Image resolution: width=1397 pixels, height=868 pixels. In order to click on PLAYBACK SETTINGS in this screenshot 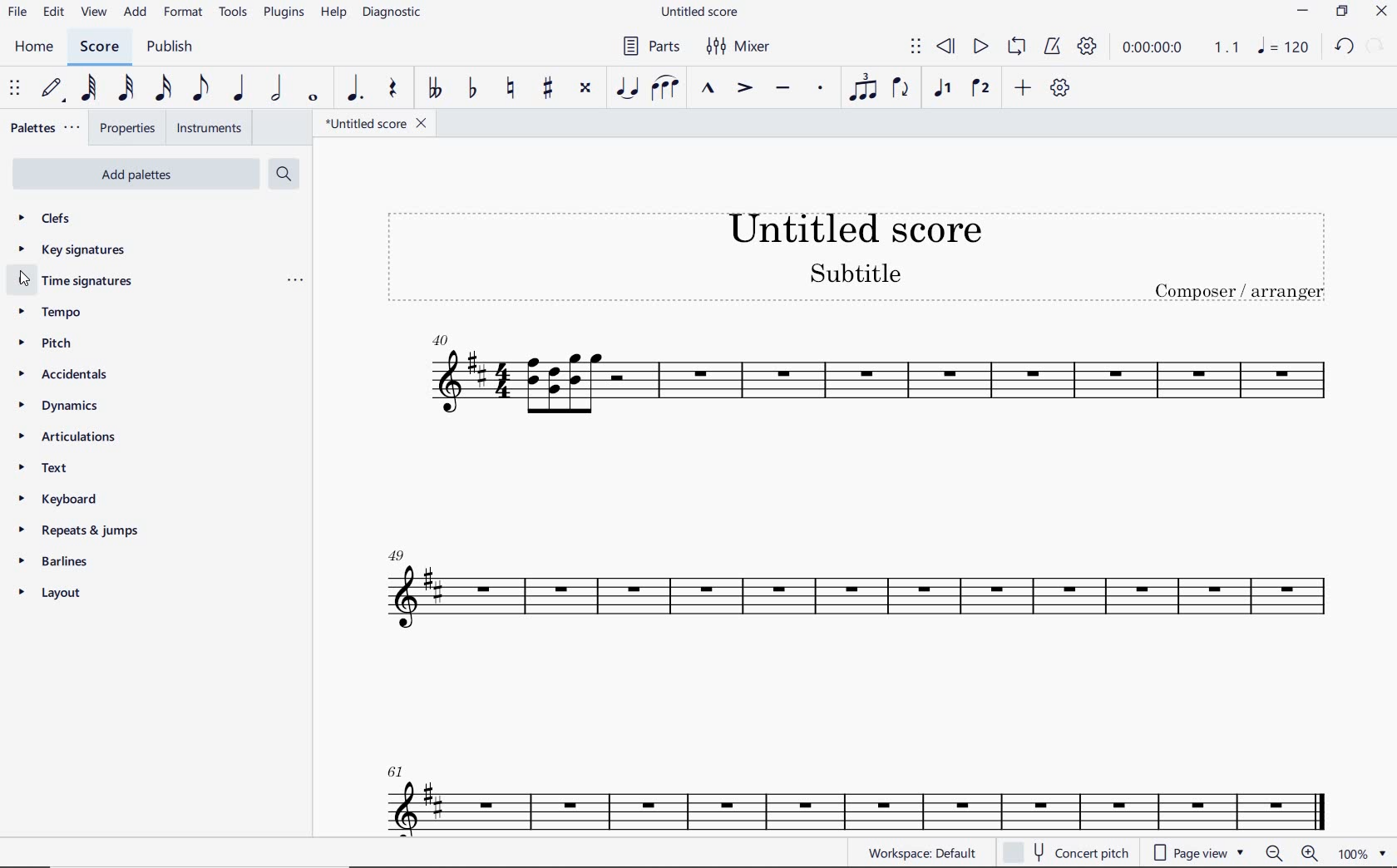, I will do `click(1088, 49)`.